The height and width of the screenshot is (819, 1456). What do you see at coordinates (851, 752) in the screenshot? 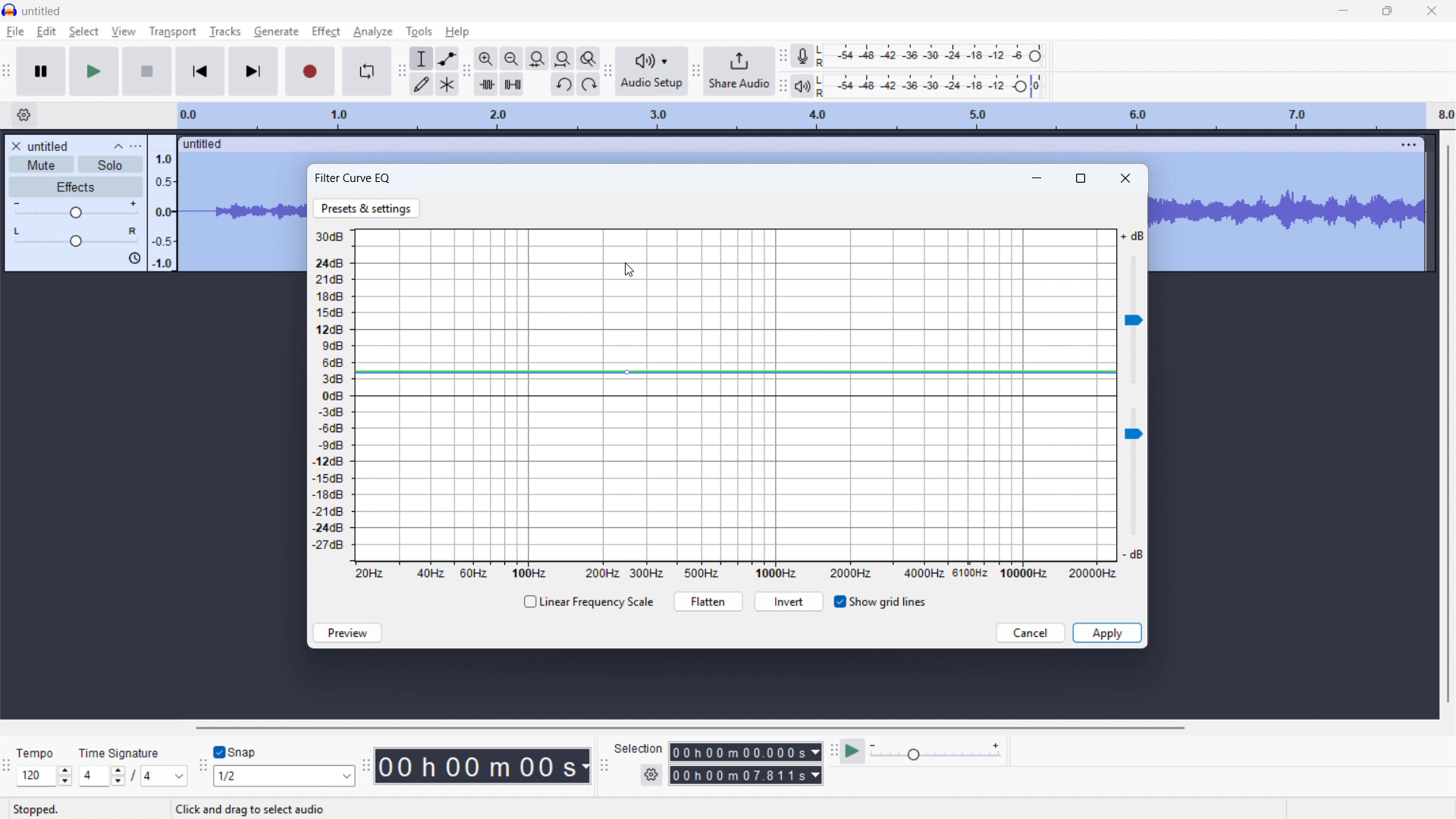
I see `Play at speed ` at bounding box center [851, 752].